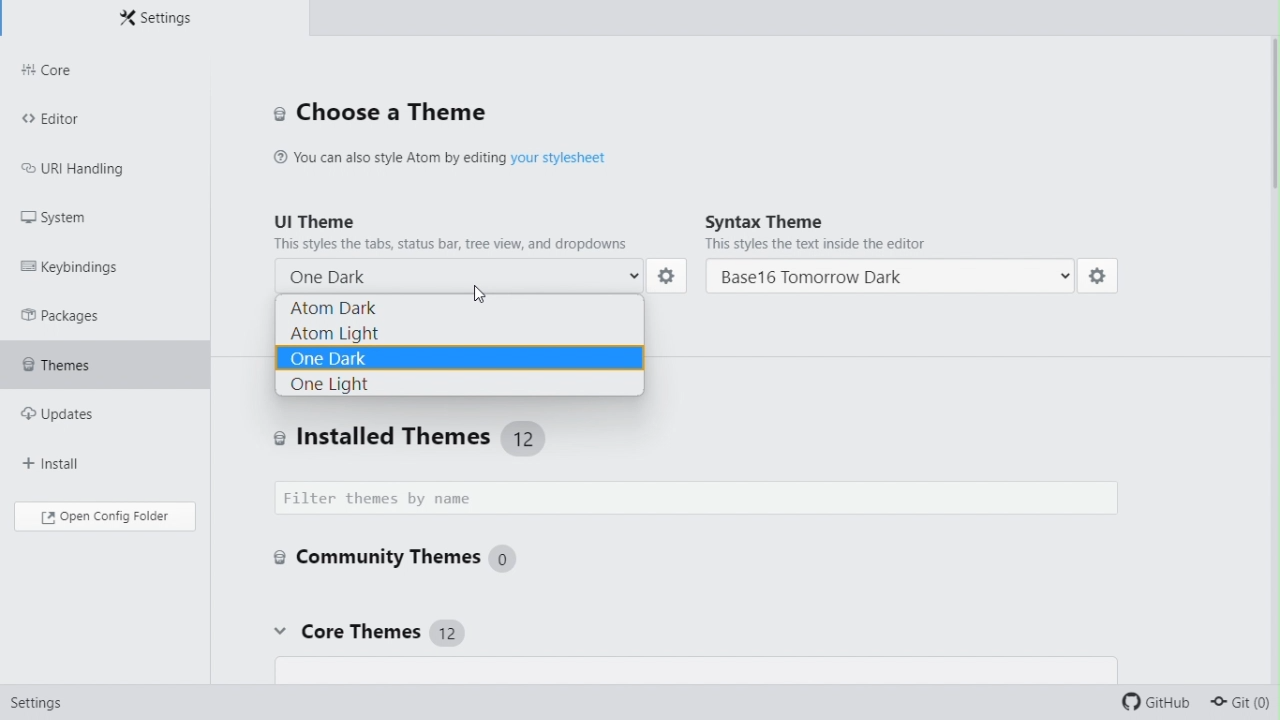 This screenshot has height=720, width=1280. What do you see at coordinates (103, 516) in the screenshot?
I see `Open config folder` at bounding box center [103, 516].